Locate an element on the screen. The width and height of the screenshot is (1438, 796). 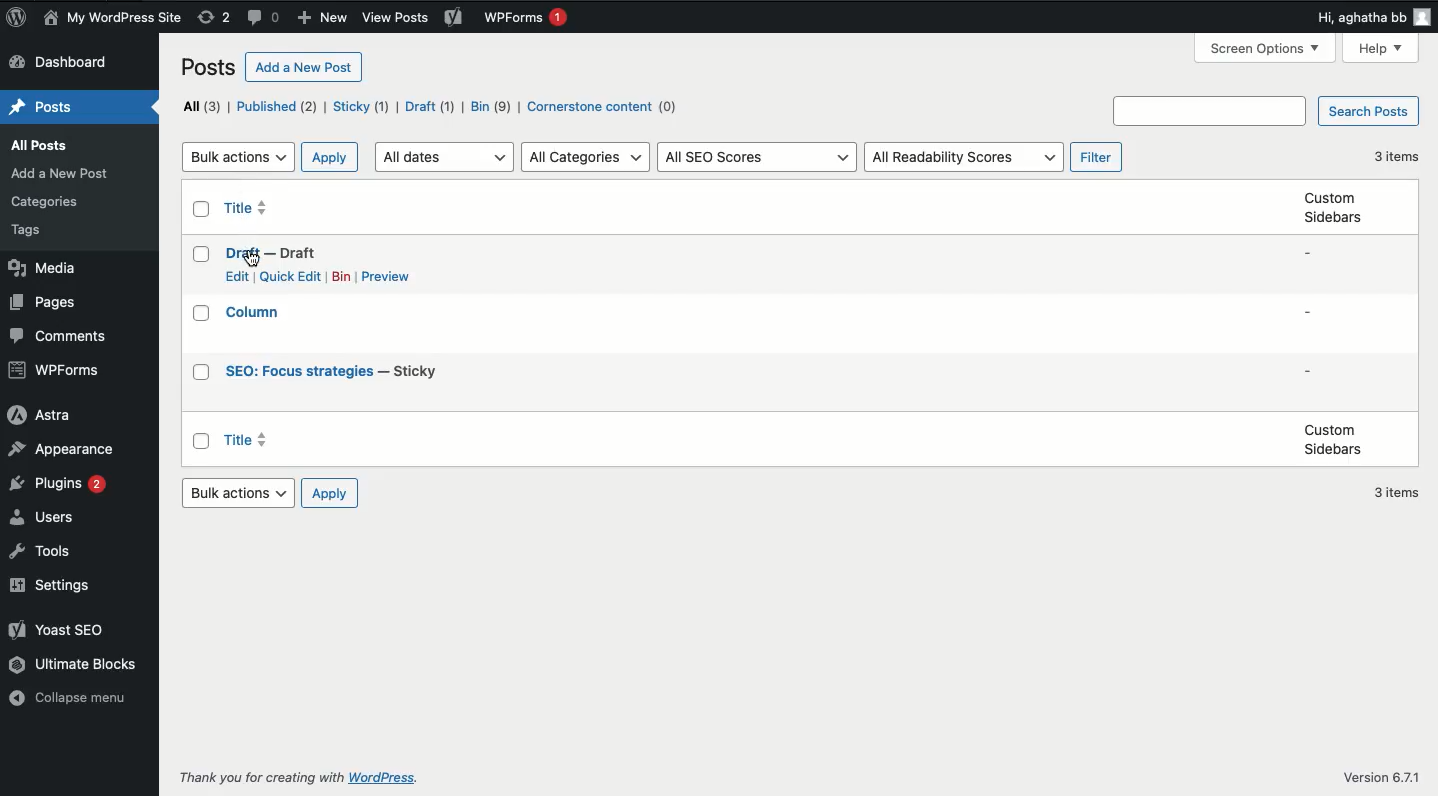
Apply is located at coordinates (332, 156).